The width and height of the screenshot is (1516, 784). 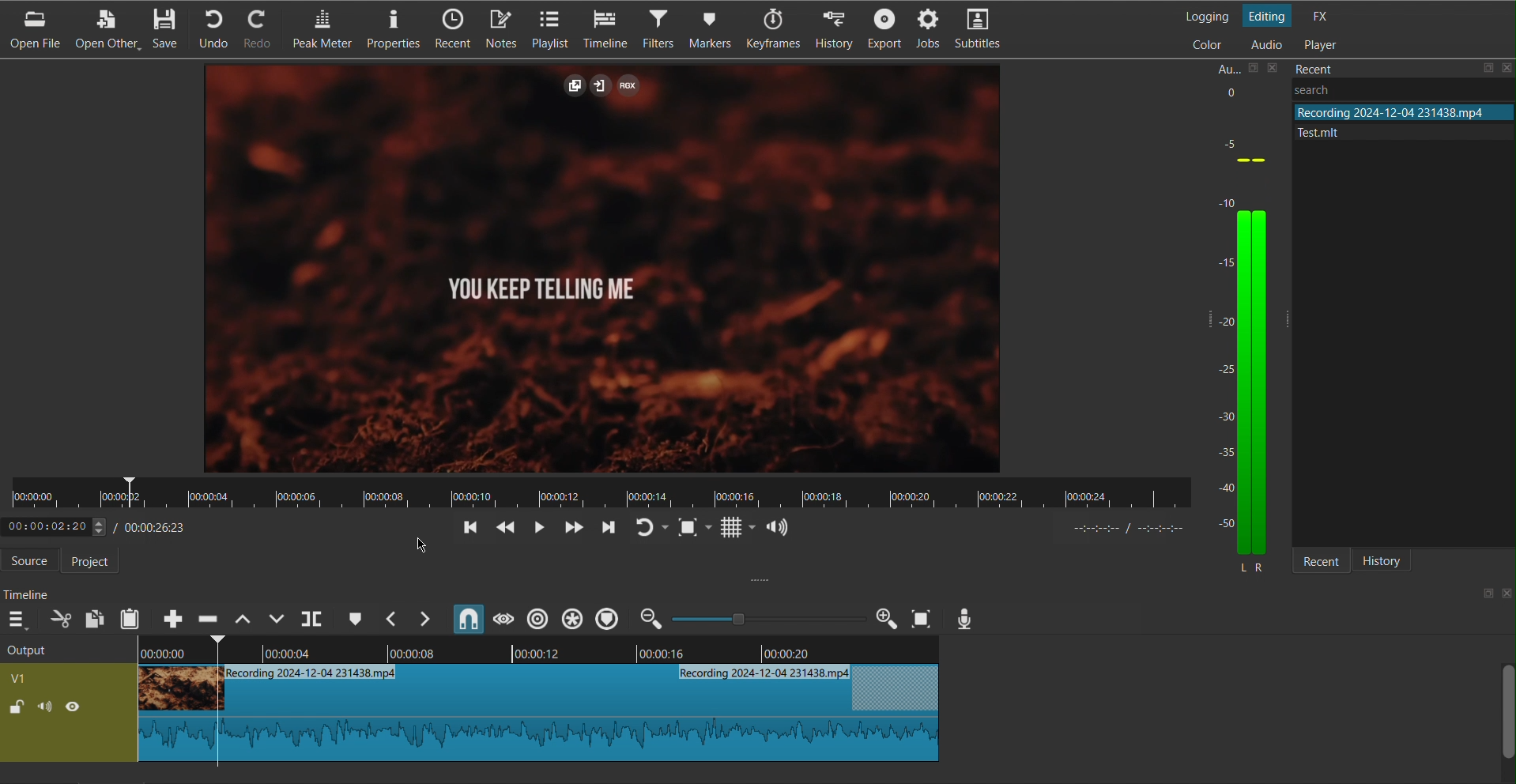 What do you see at coordinates (983, 32) in the screenshot?
I see `Subtitles` at bounding box center [983, 32].